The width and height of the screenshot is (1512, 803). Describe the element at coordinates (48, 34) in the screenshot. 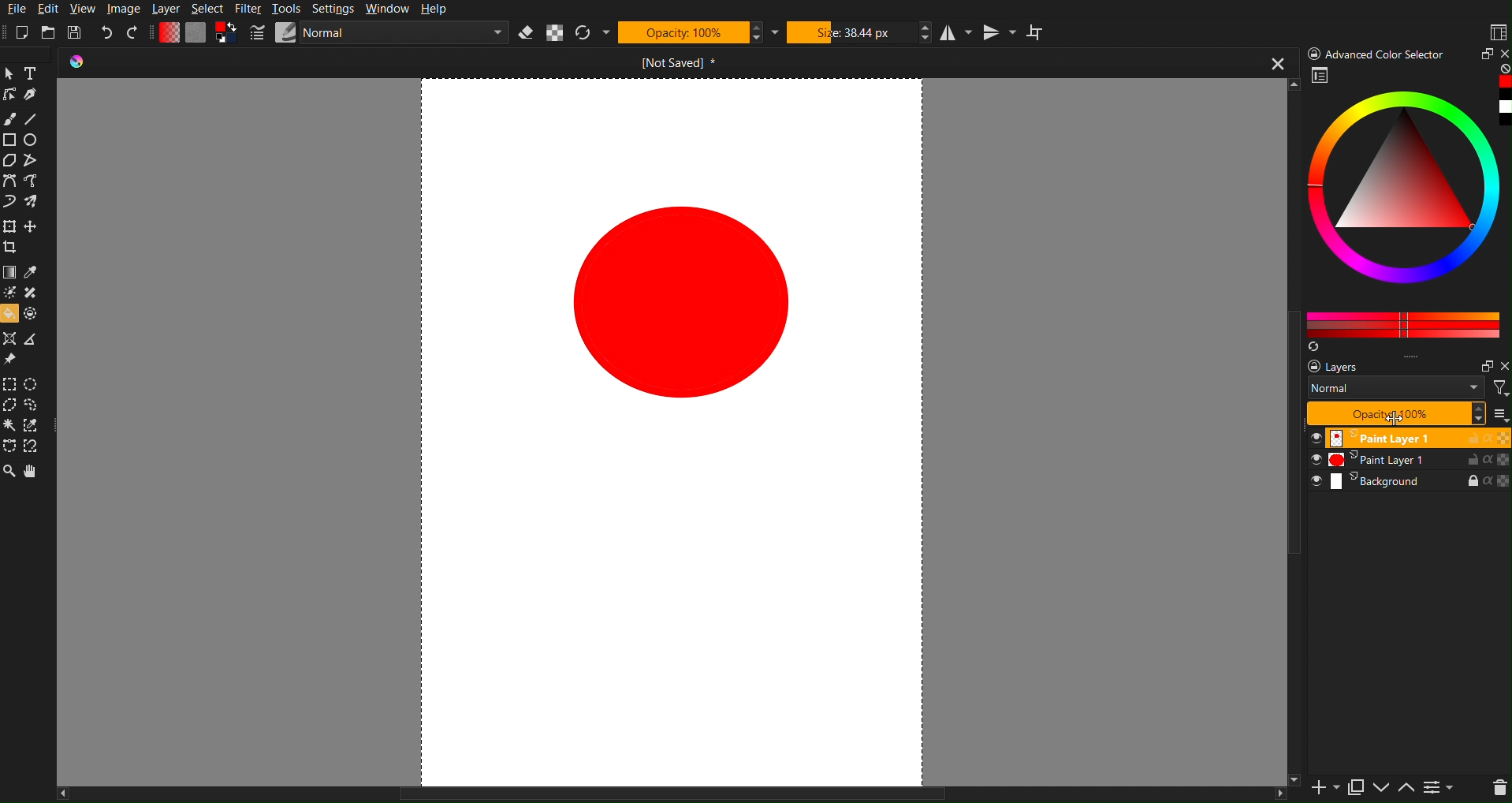

I see `Open` at that location.